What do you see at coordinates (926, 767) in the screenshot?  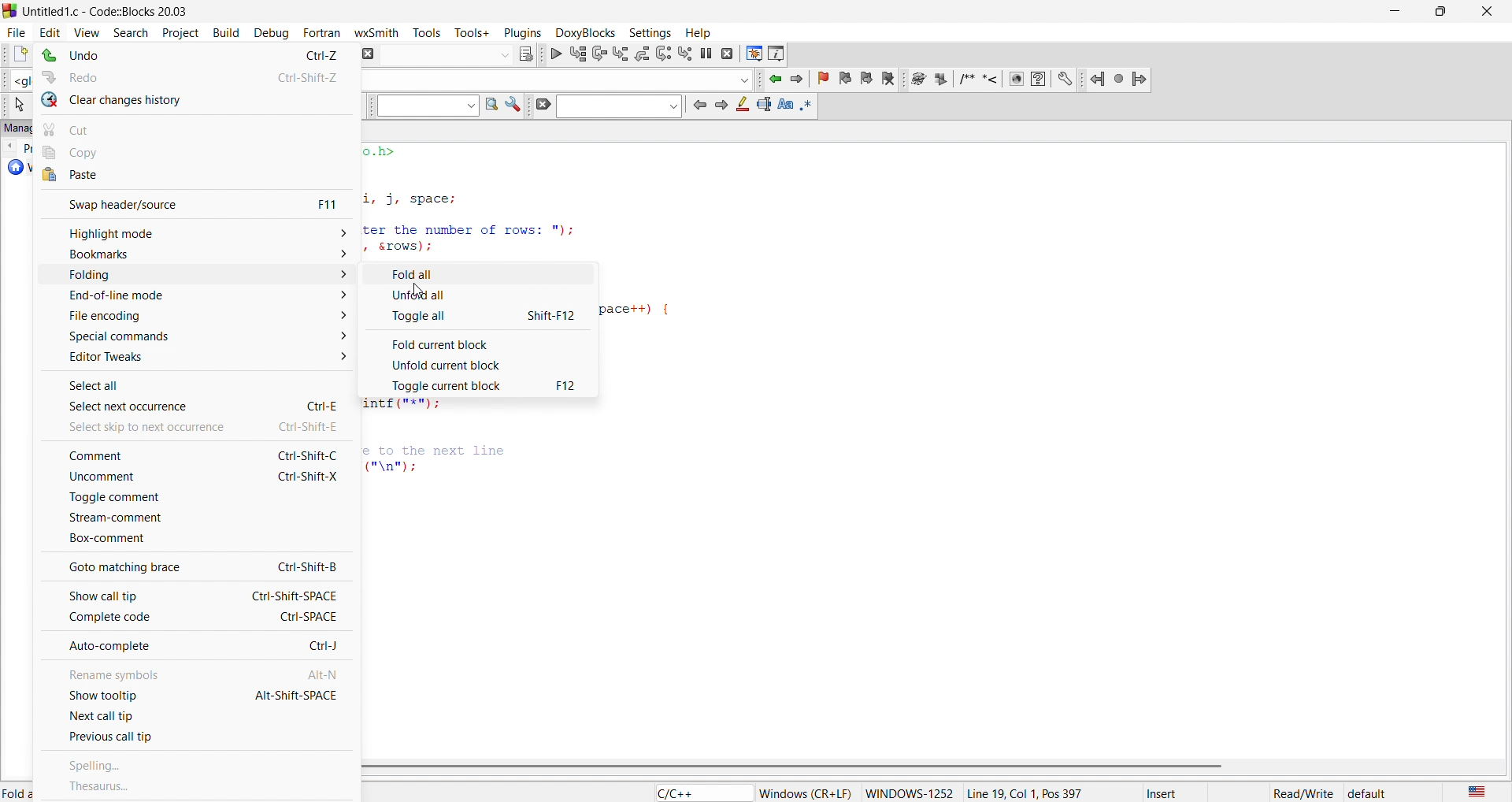 I see `vertical scroll bar` at bounding box center [926, 767].